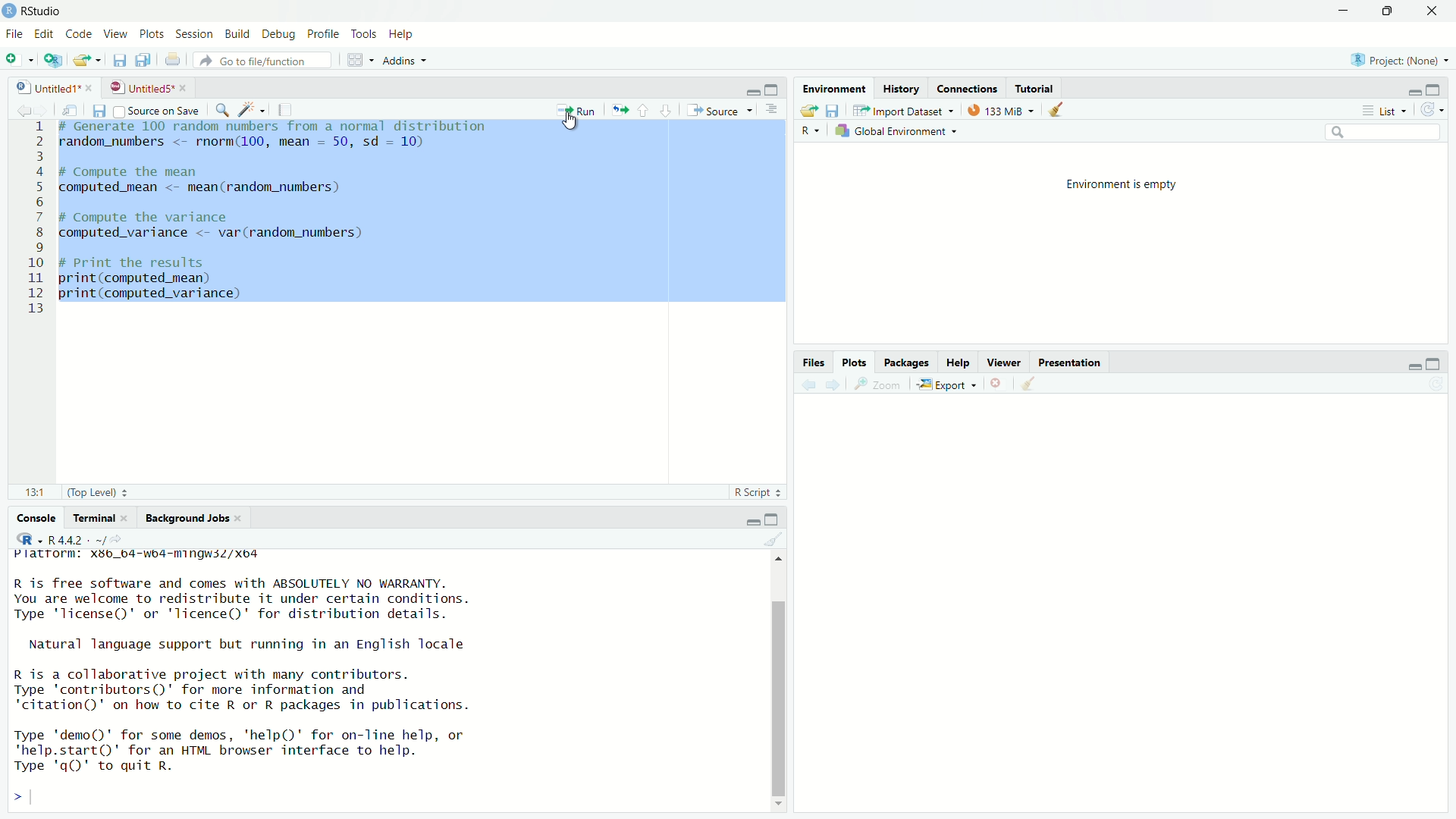 This screenshot has height=819, width=1456. Describe the element at coordinates (1441, 89) in the screenshot. I see `maximize` at that location.